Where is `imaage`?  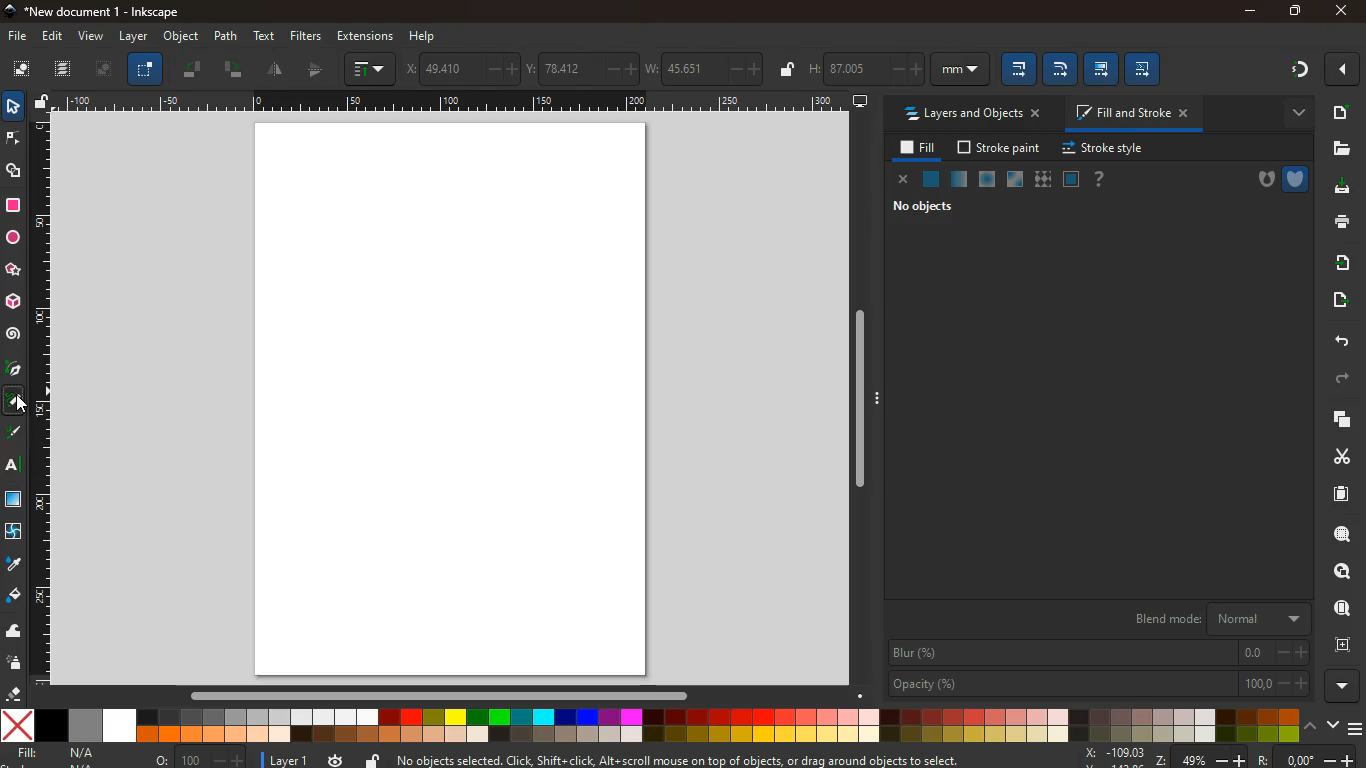 imaage is located at coordinates (15, 501).